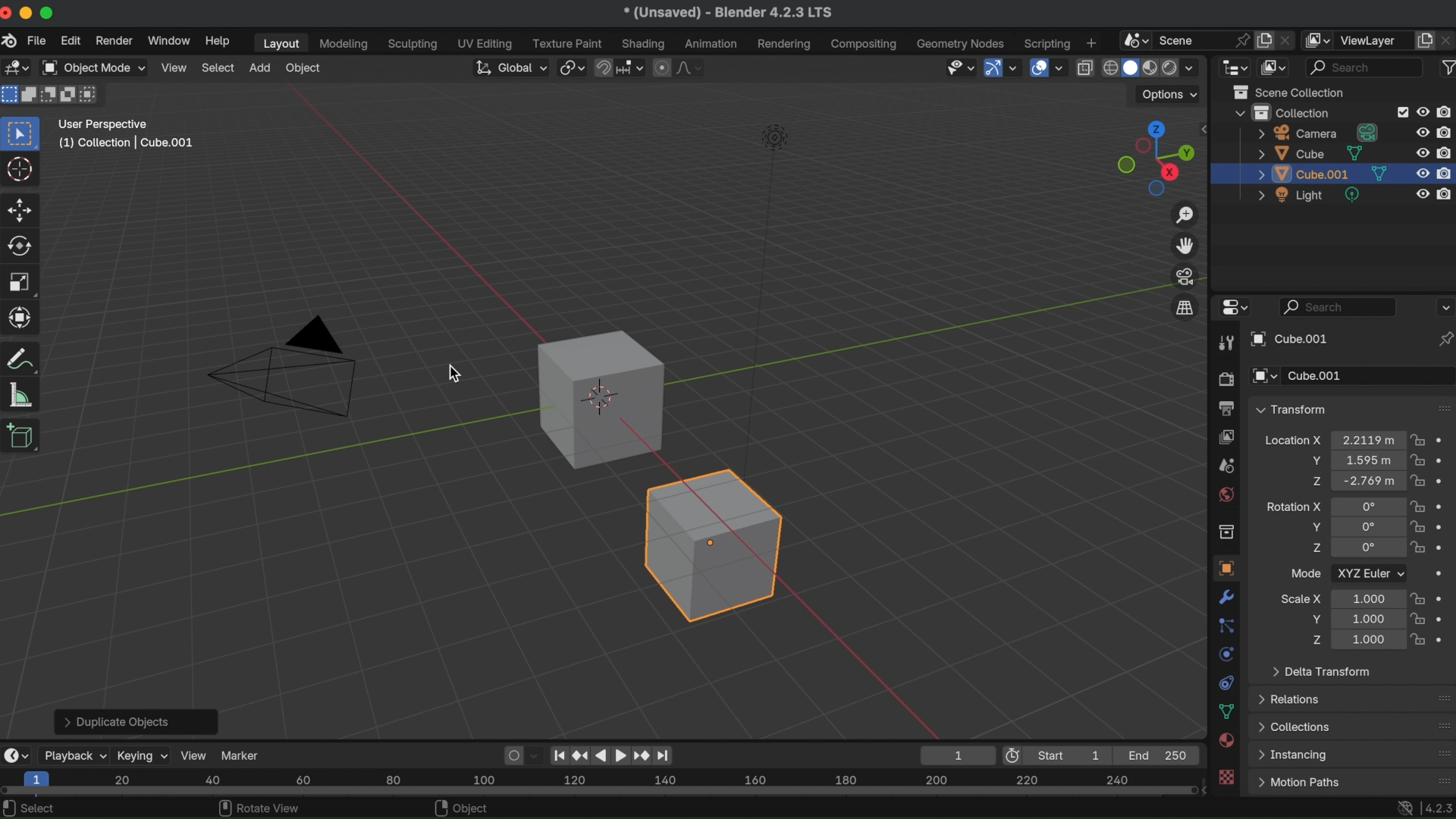 The image size is (1456, 819). Describe the element at coordinates (1288, 38) in the screenshot. I see `delete scene` at that location.